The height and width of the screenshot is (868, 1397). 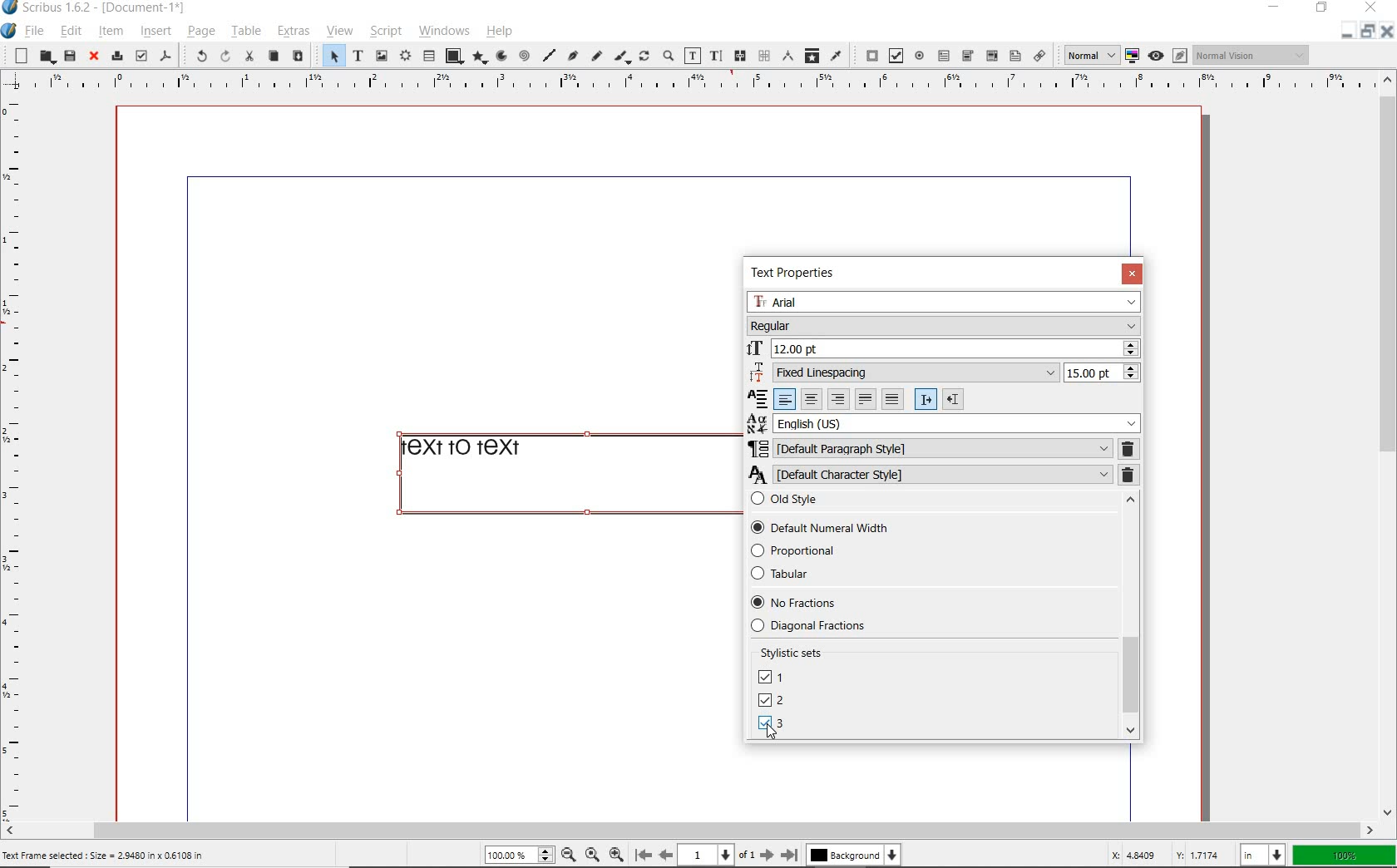 I want to click on image frame, so click(x=383, y=56).